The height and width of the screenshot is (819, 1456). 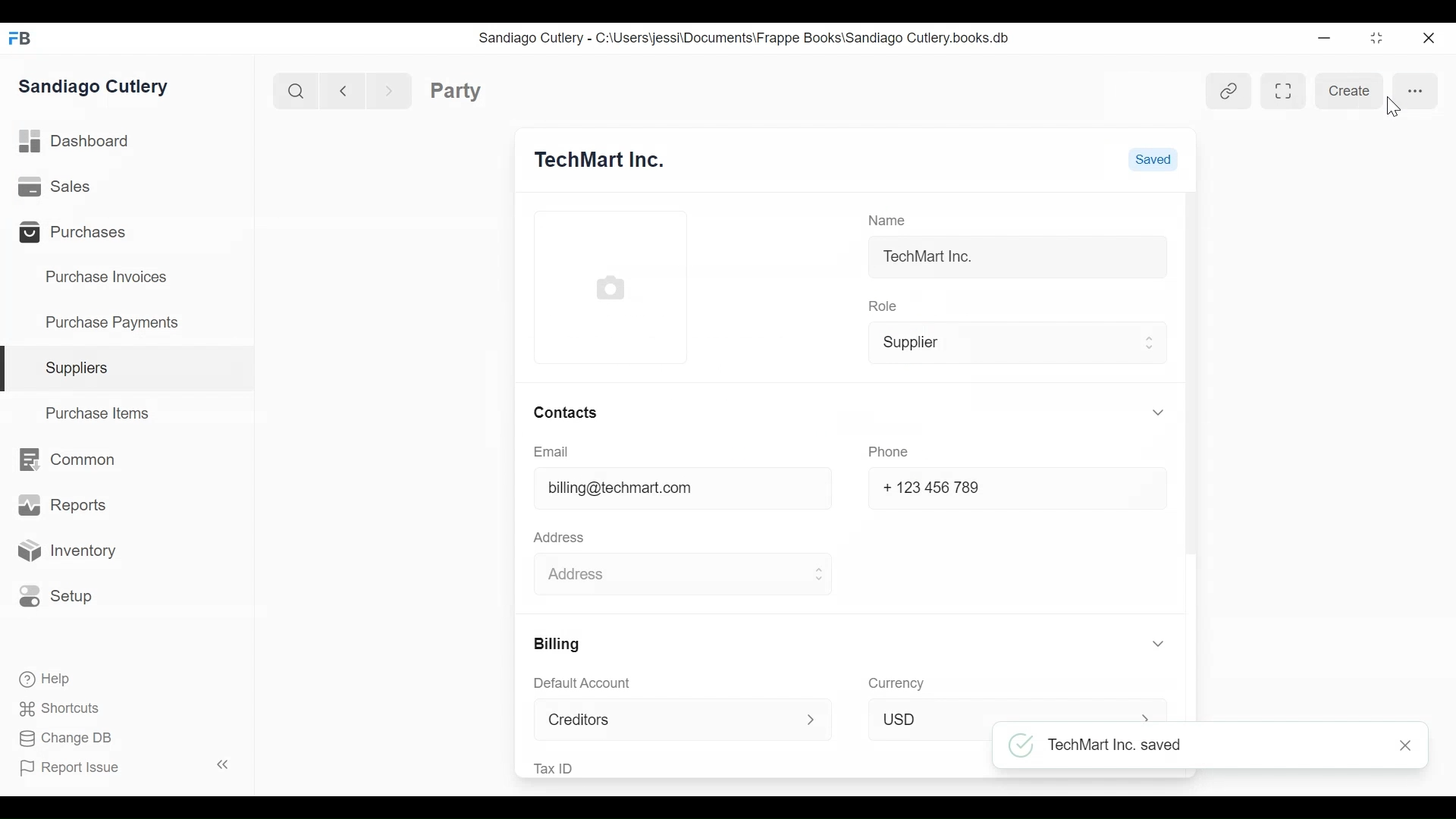 What do you see at coordinates (1147, 641) in the screenshot?
I see `expand` at bounding box center [1147, 641].